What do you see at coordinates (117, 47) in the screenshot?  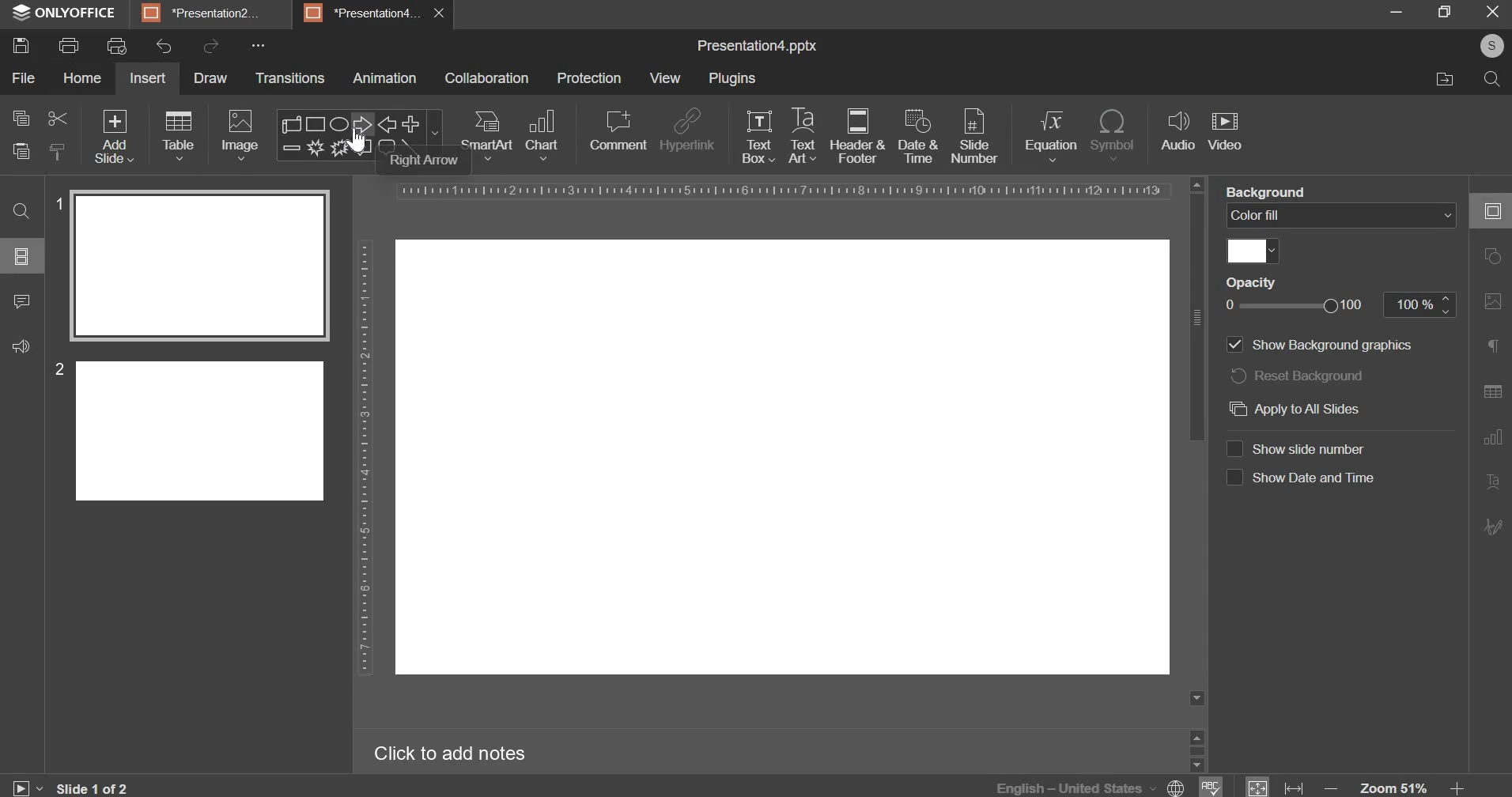 I see `print preview` at bounding box center [117, 47].